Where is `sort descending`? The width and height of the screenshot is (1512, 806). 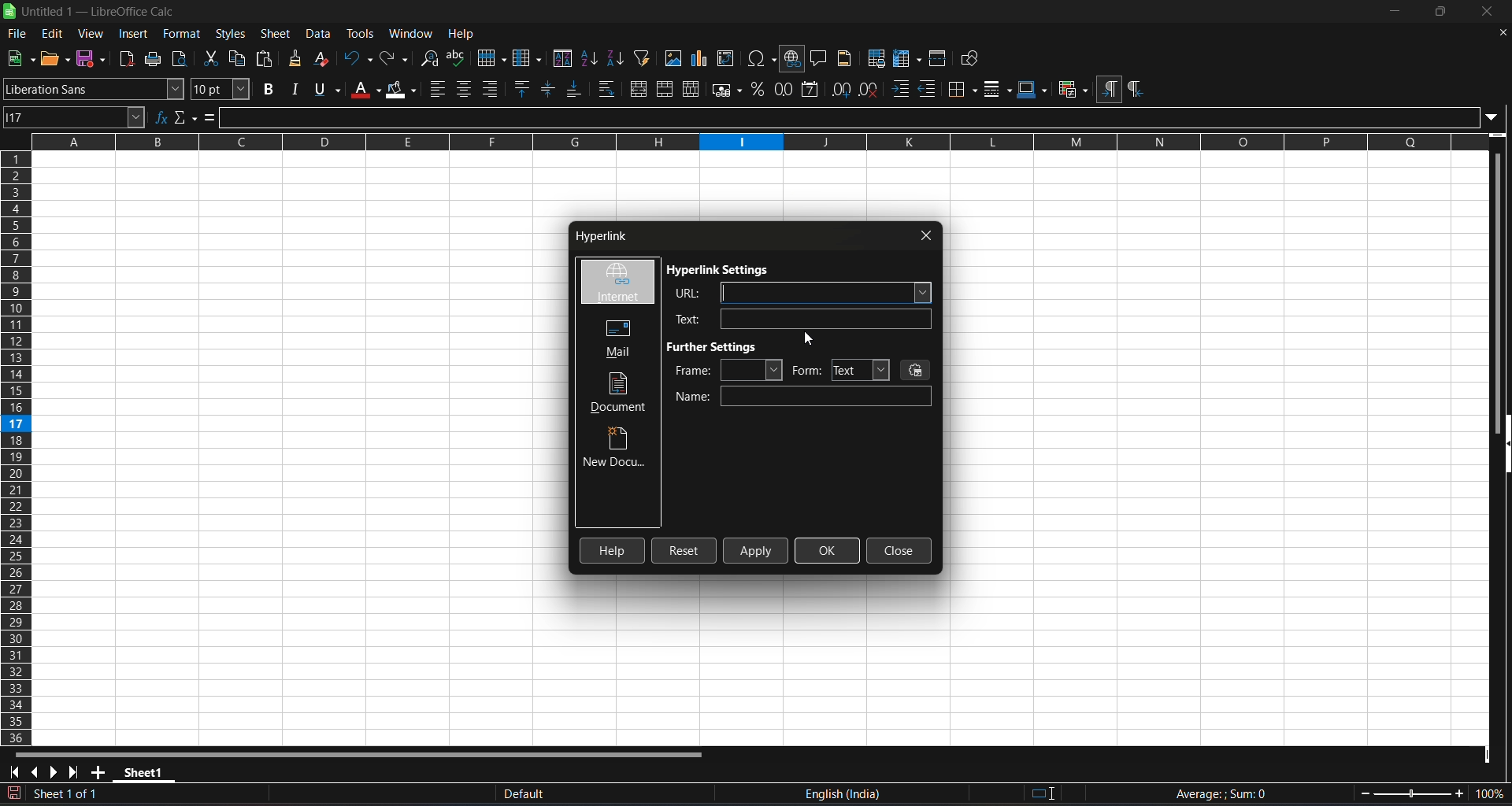
sort descending is located at coordinates (617, 57).